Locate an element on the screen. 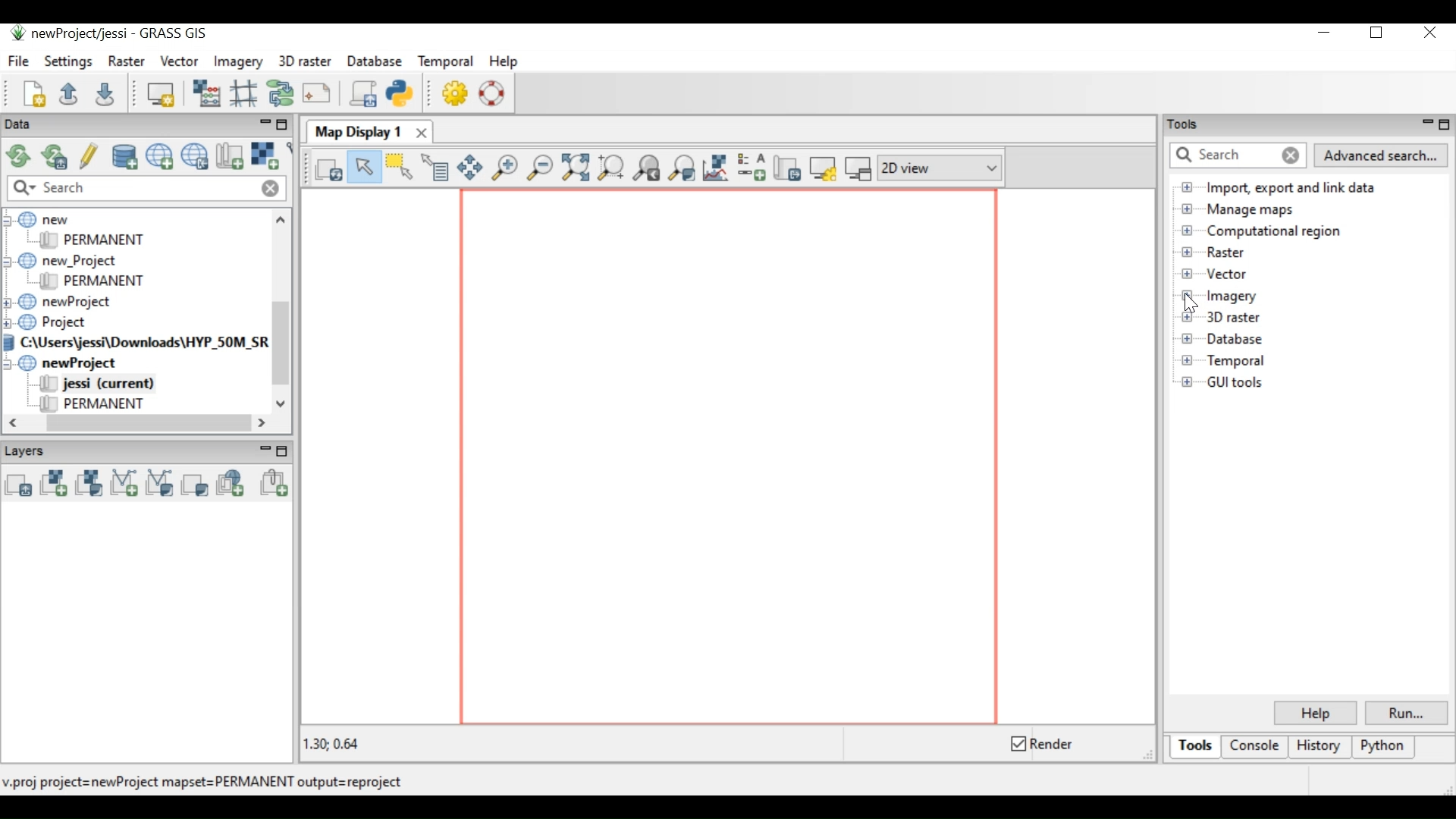  Horizontal Scroll bar is located at coordinates (147, 425).